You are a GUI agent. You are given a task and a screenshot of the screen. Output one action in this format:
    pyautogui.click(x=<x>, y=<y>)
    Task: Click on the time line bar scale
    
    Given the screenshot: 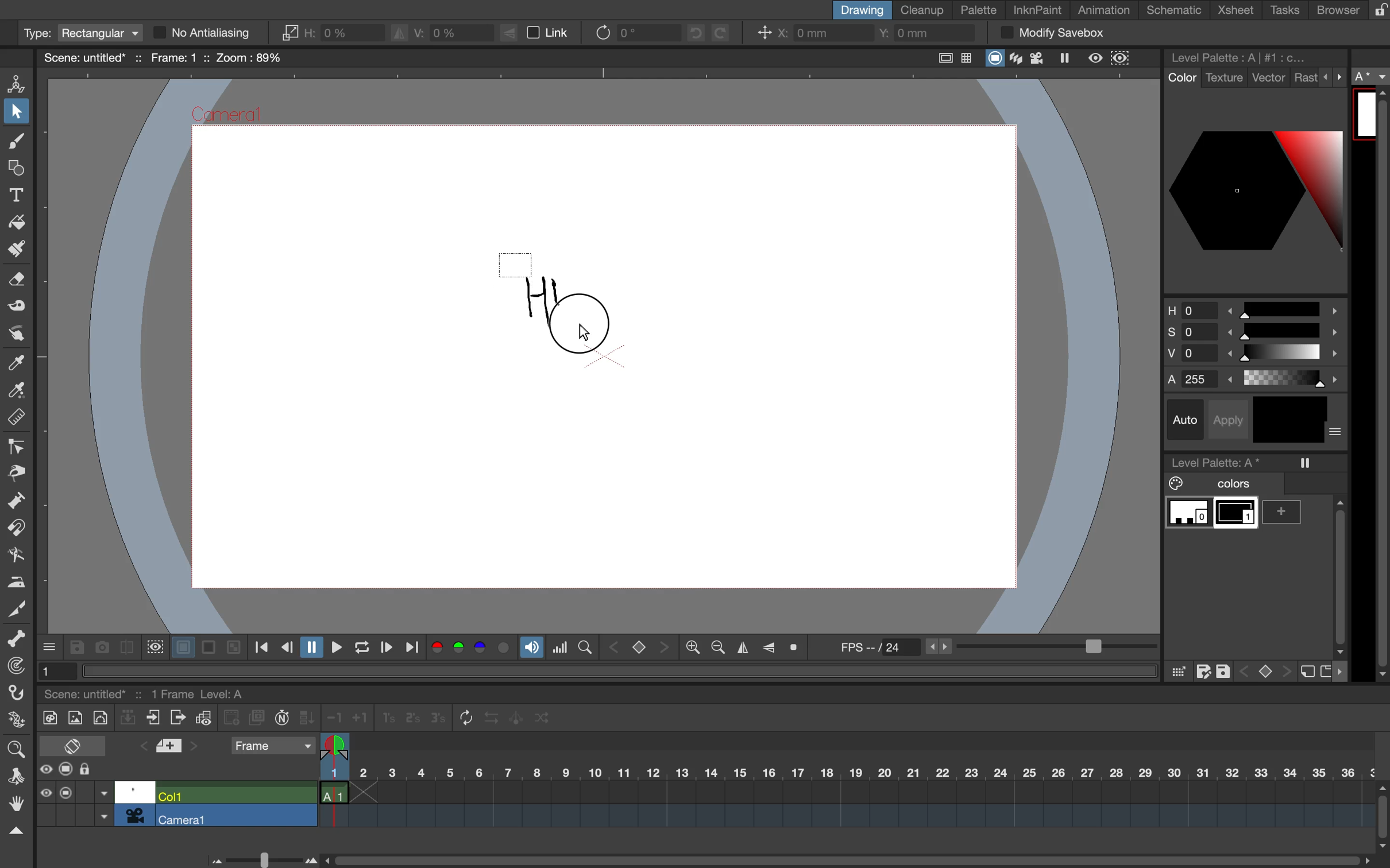 What is the action you would take?
    pyautogui.click(x=259, y=858)
    